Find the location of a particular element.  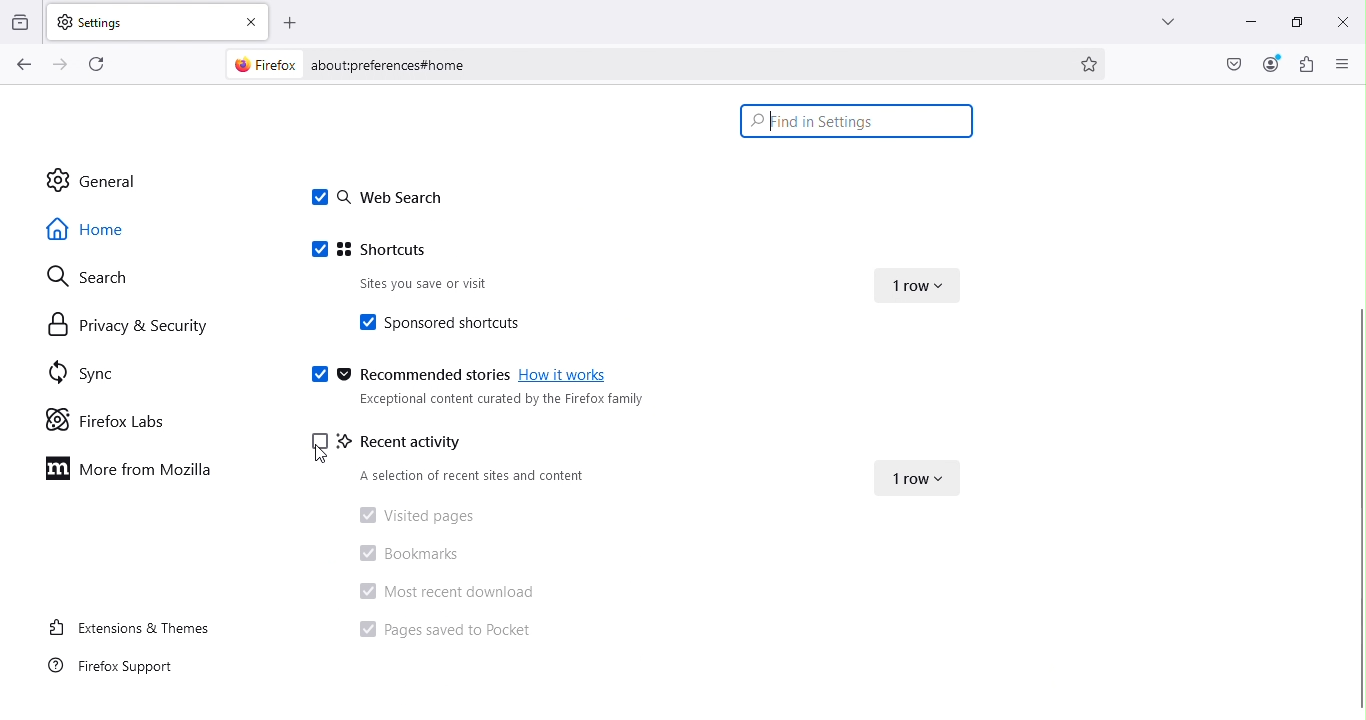

Recent activity is located at coordinates (421, 443).